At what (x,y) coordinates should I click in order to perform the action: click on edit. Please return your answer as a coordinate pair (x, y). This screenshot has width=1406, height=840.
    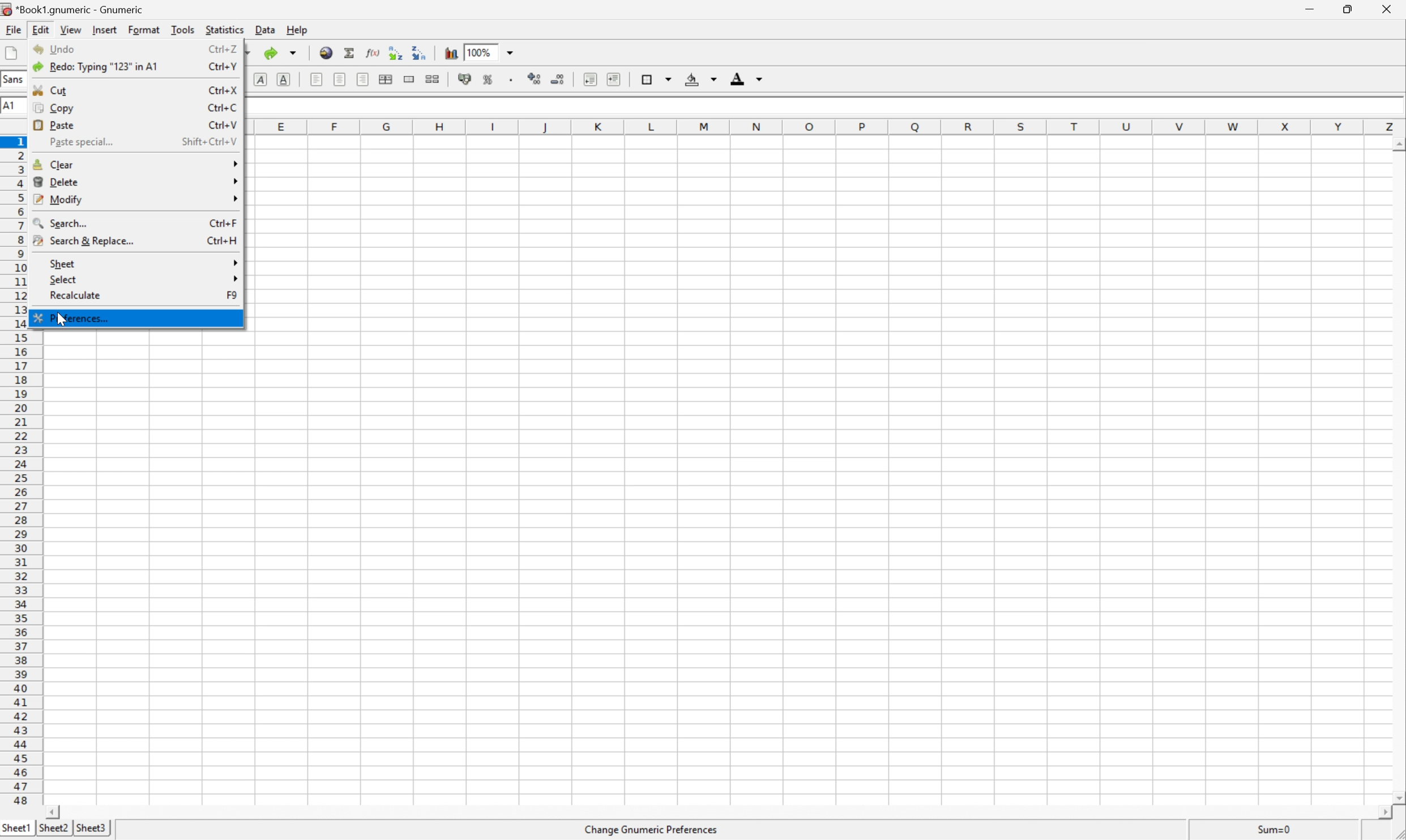
    Looking at the image, I should click on (40, 30).